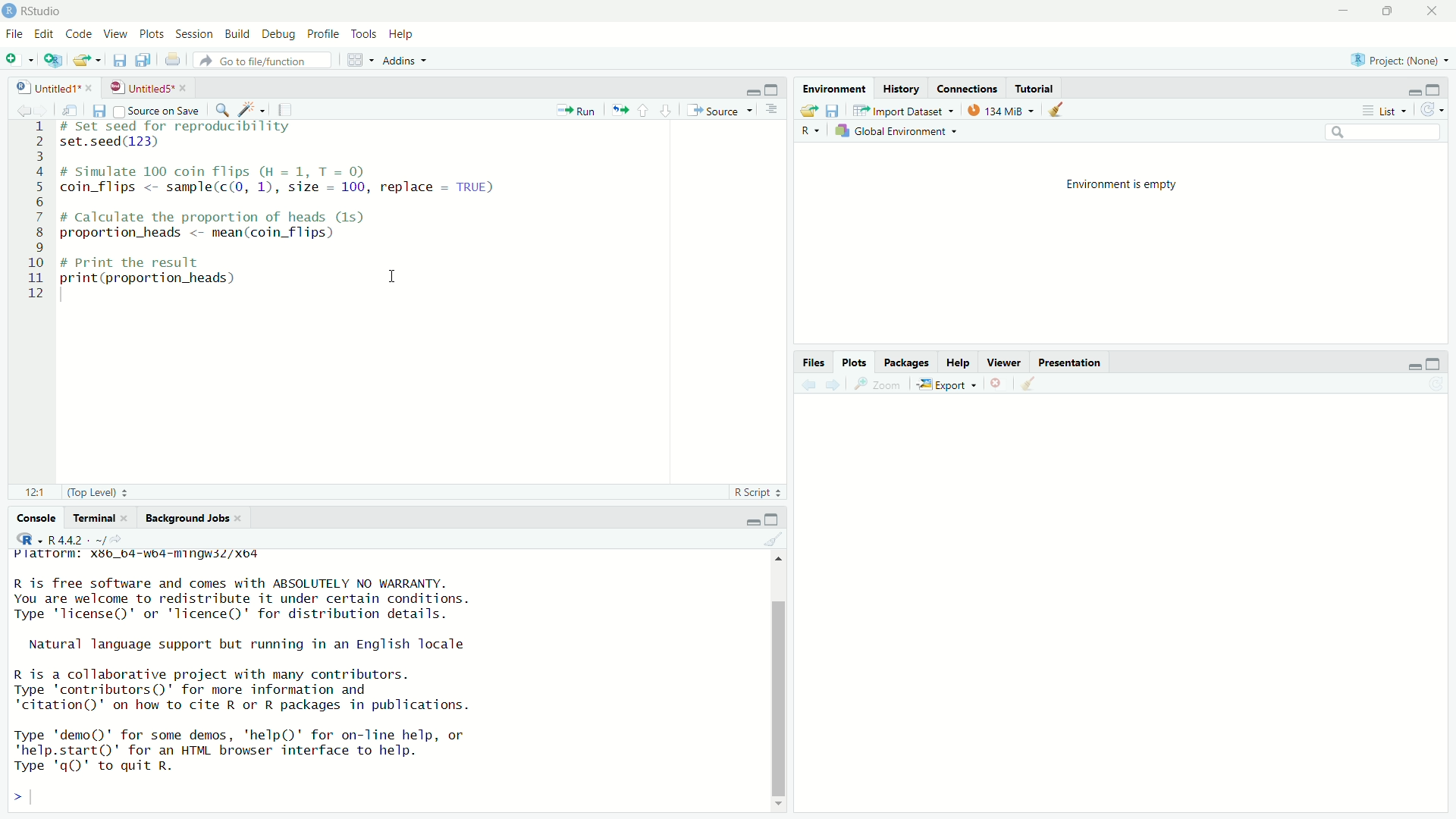 The image size is (1456, 819). I want to click on load workspace, so click(808, 111).